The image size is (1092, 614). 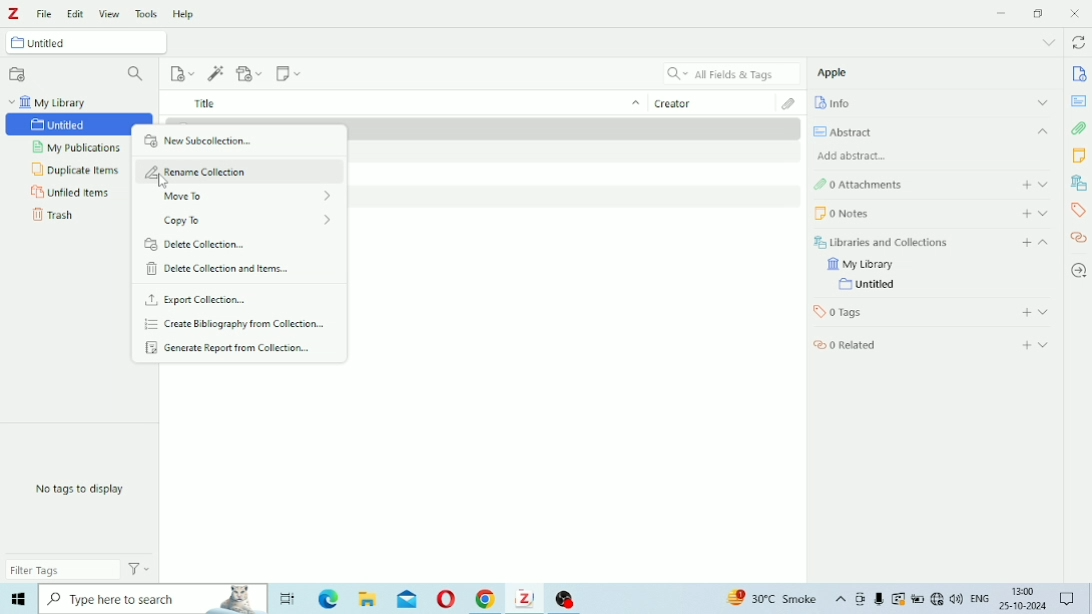 I want to click on , so click(x=978, y=598).